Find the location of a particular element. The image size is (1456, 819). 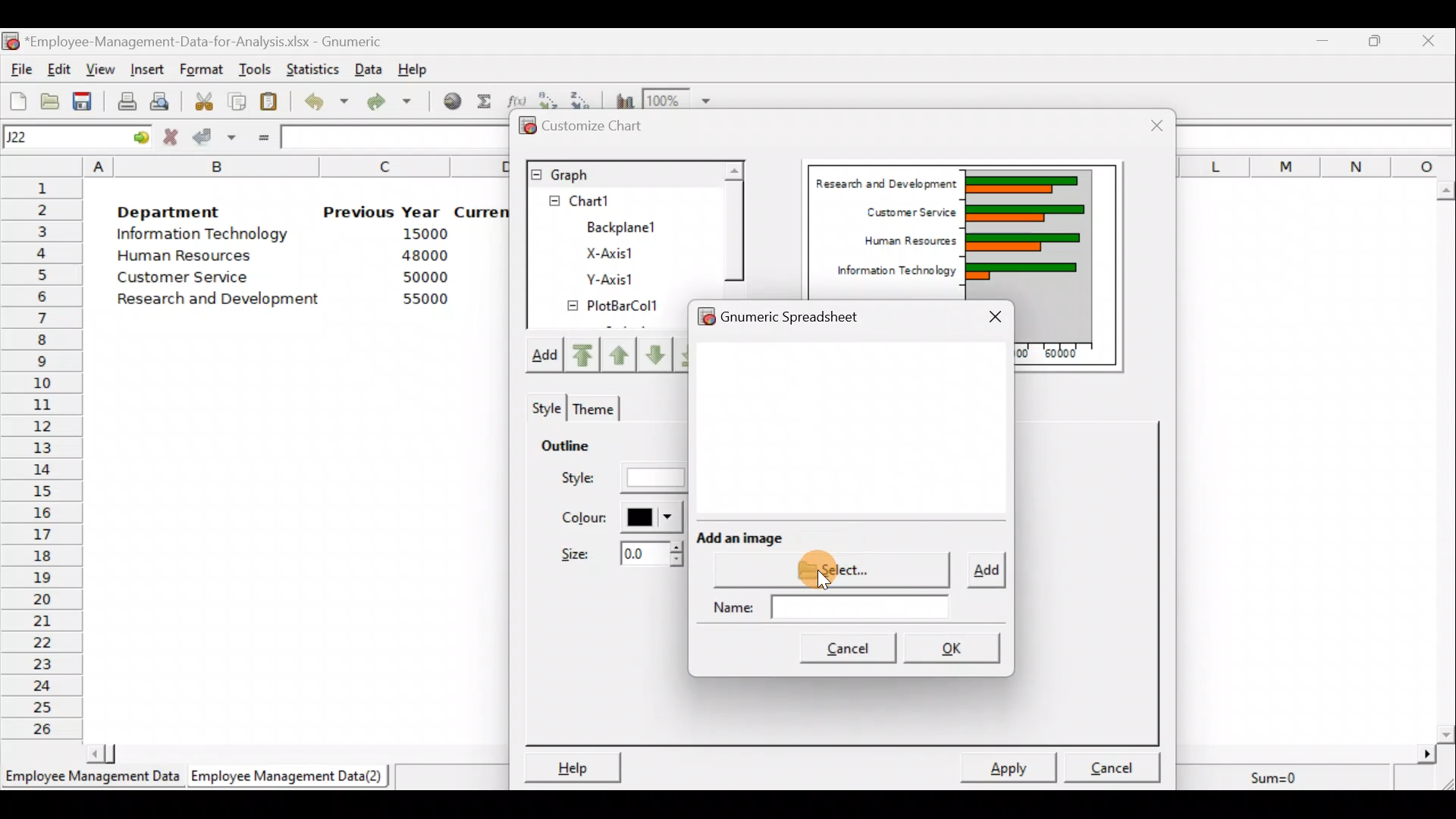

Customer Service is located at coordinates (176, 278).